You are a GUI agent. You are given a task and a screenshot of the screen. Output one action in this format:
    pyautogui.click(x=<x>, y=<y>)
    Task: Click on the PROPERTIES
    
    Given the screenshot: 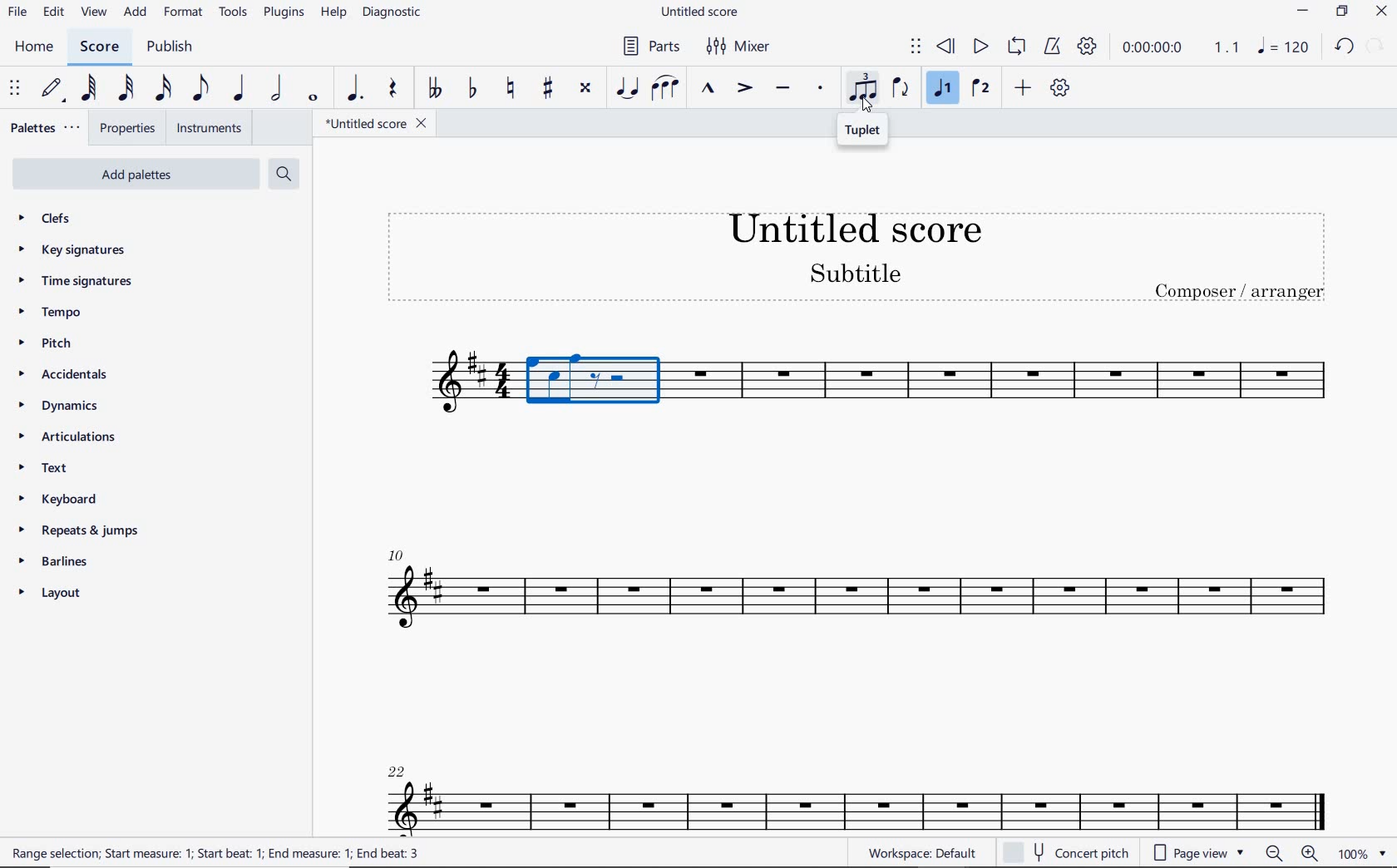 What is the action you would take?
    pyautogui.click(x=129, y=129)
    